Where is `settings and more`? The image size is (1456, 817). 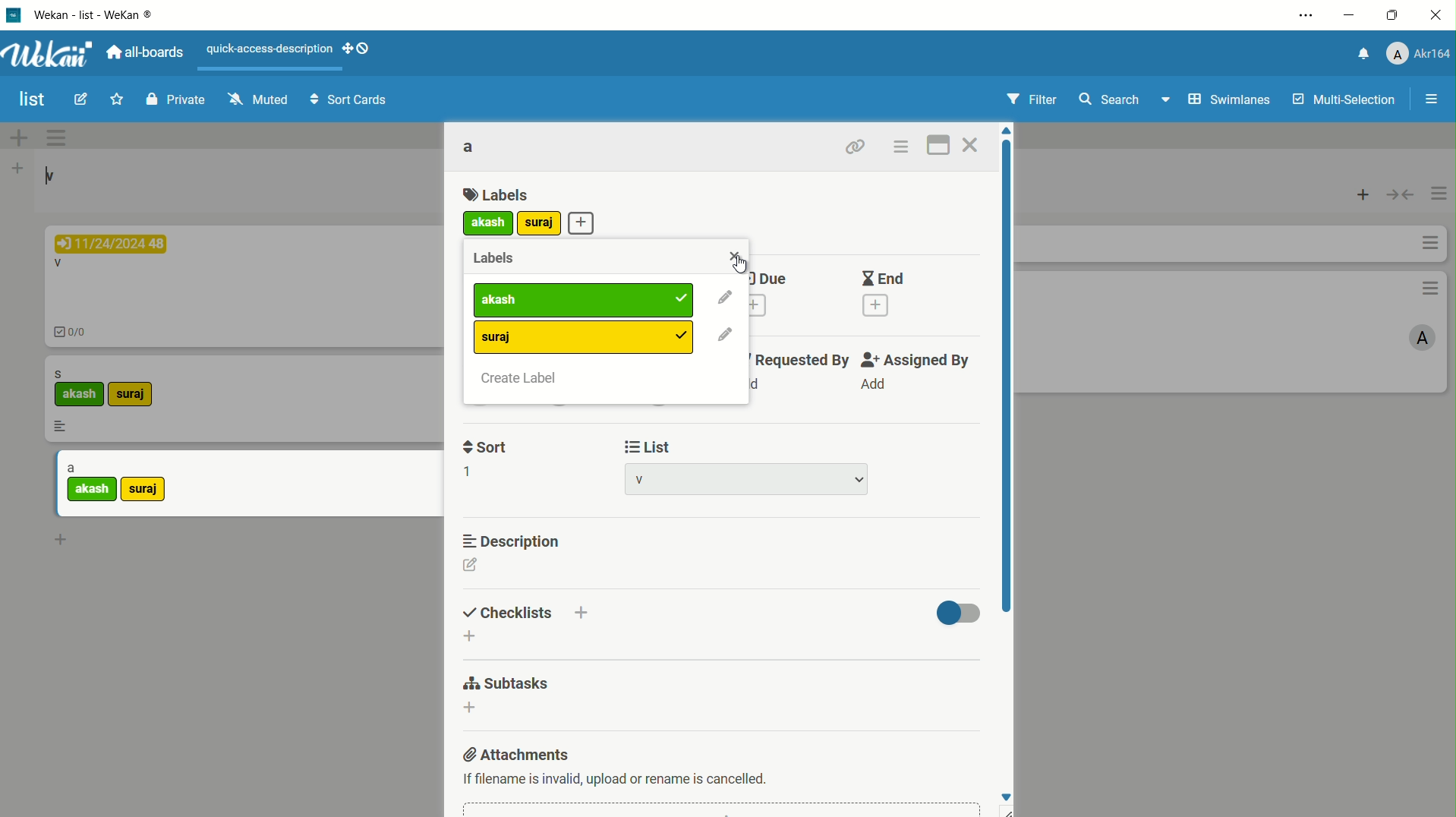
settings and more is located at coordinates (1303, 17).